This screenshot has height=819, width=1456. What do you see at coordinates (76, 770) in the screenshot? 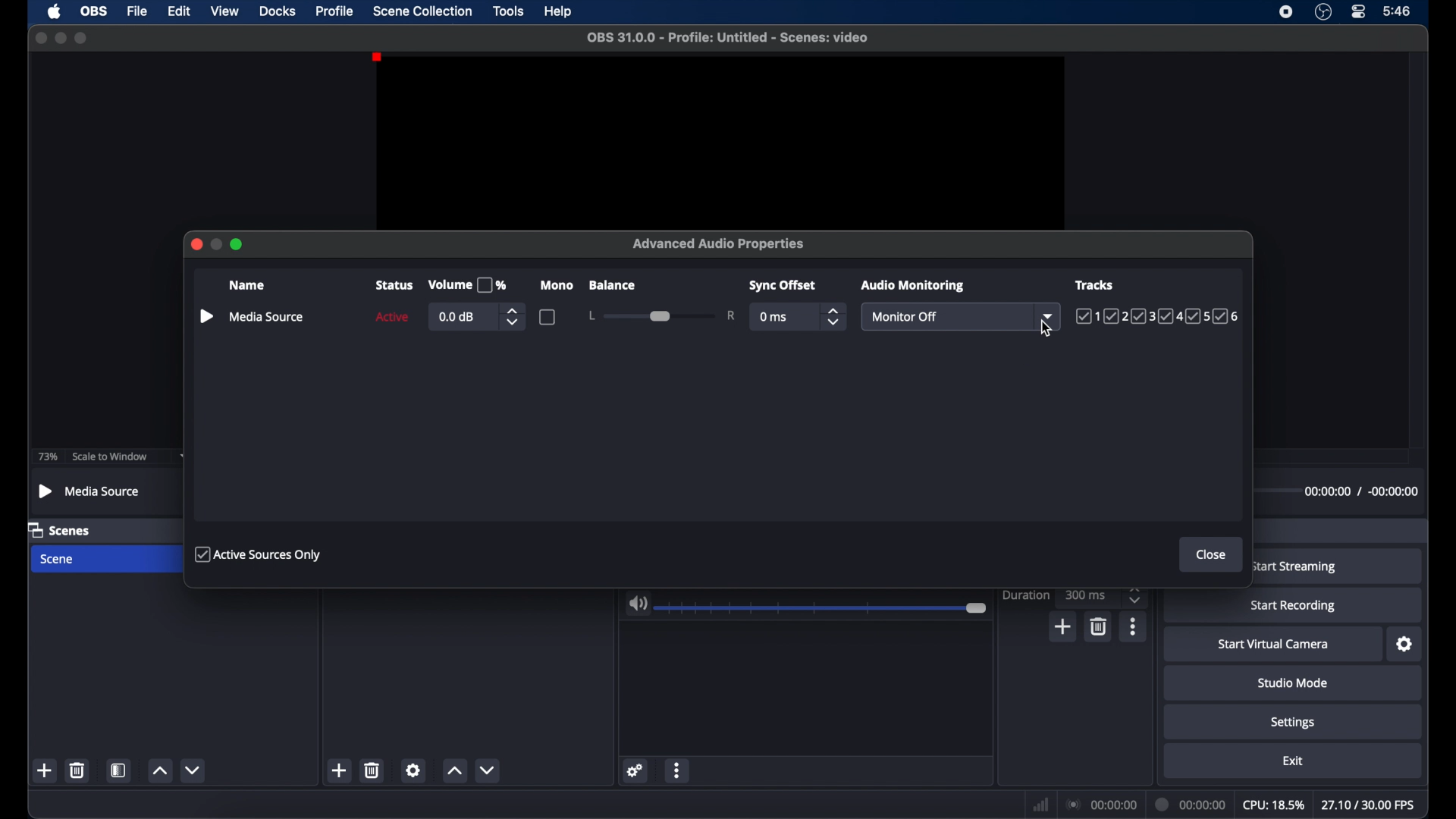
I see `delete` at bounding box center [76, 770].